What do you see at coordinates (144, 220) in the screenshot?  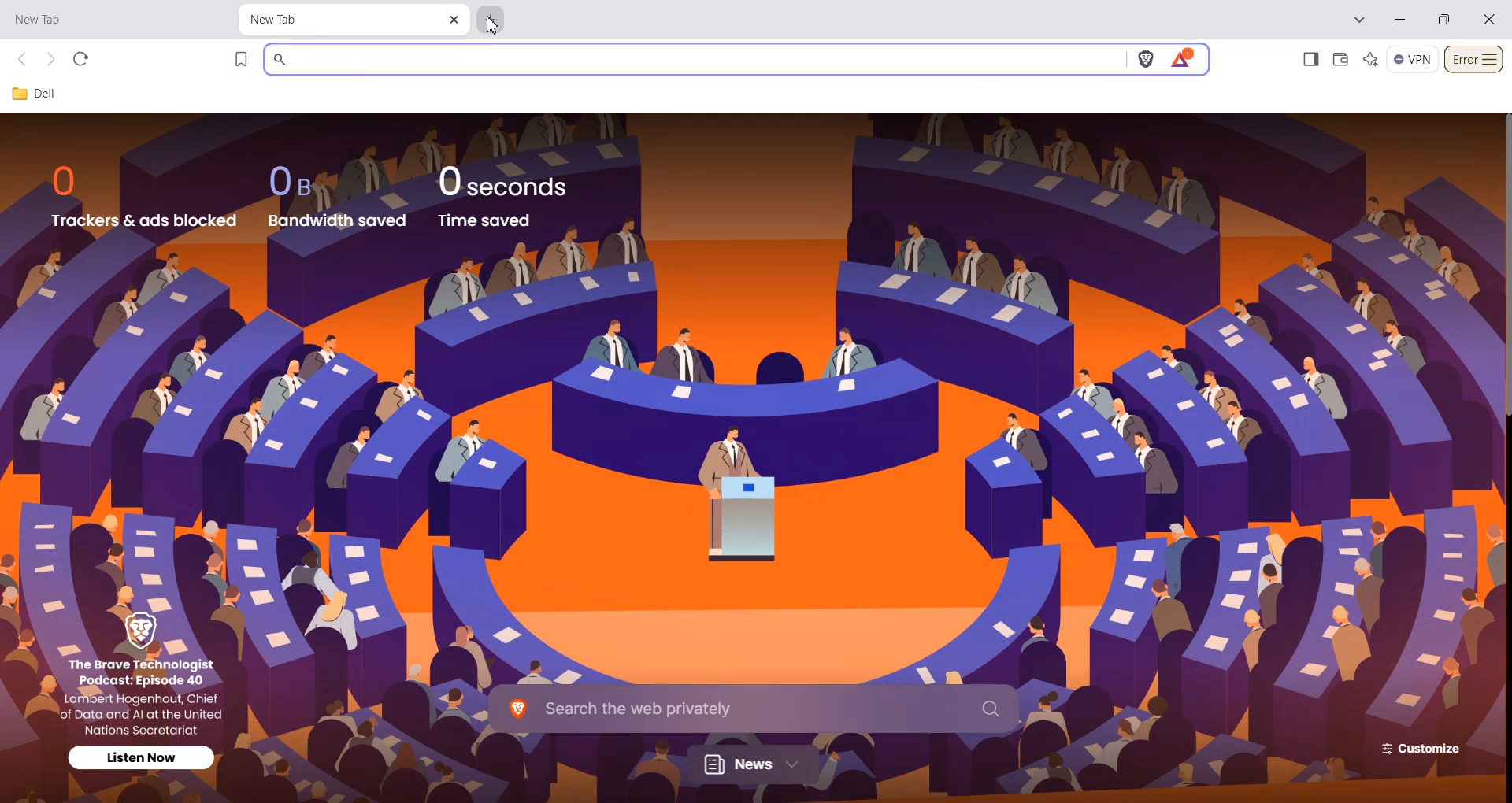 I see `Trackers & ads blocked` at bounding box center [144, 220].